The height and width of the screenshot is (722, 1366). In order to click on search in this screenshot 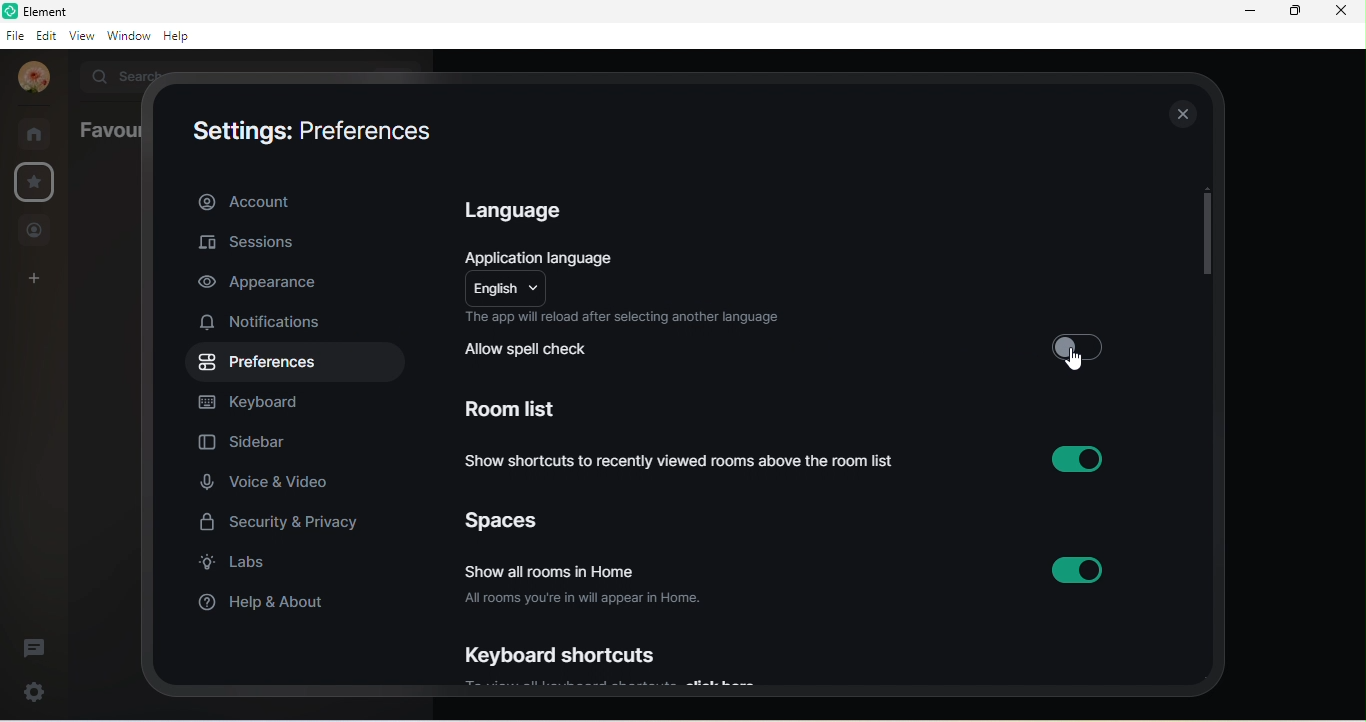, I will do `click(114, 75)`.